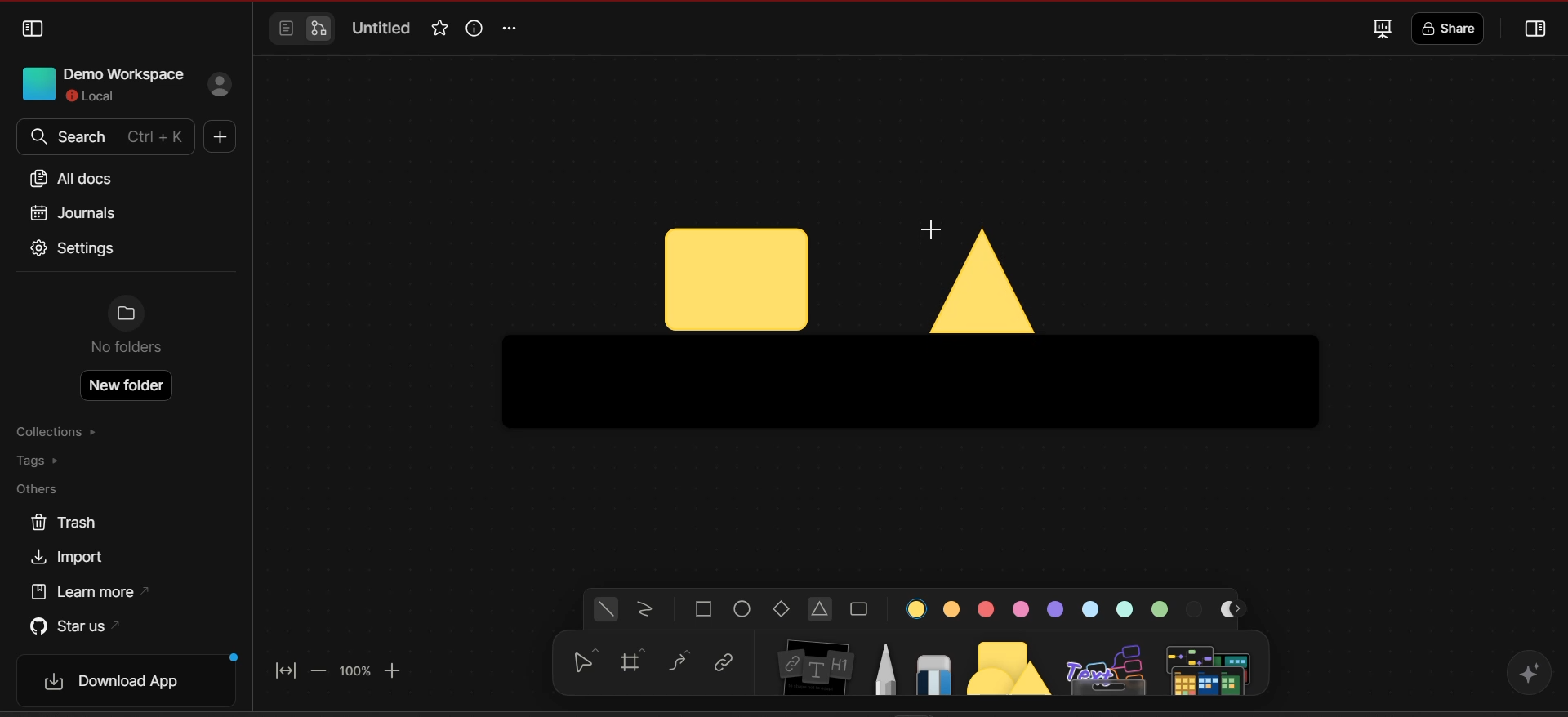 The image size is (1568, 717). Describe the element at coordinates (822, 611) in the screenshot. I see `triangle` at that location.